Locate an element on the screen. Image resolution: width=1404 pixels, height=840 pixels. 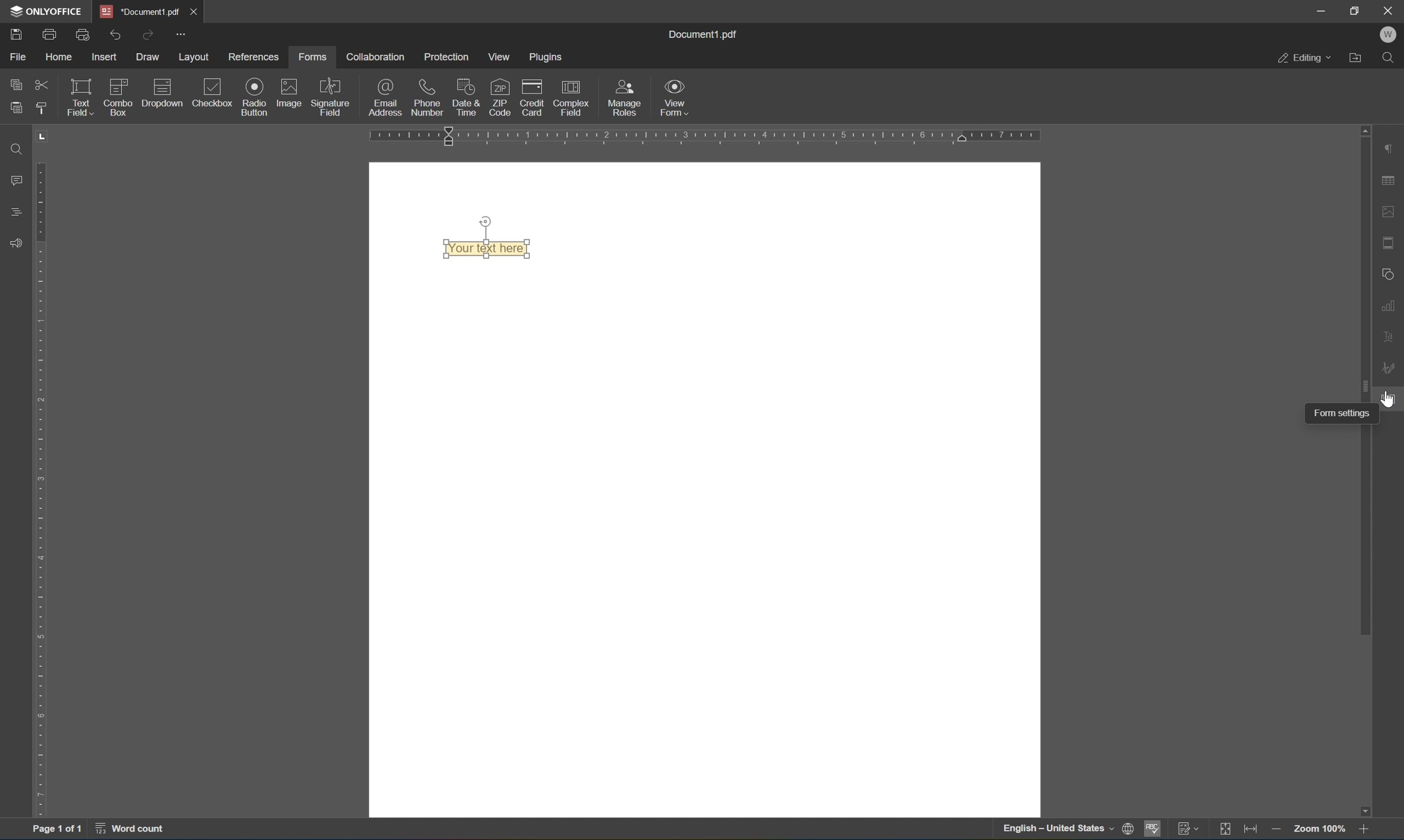
paste is located at coordinates (16, 105).